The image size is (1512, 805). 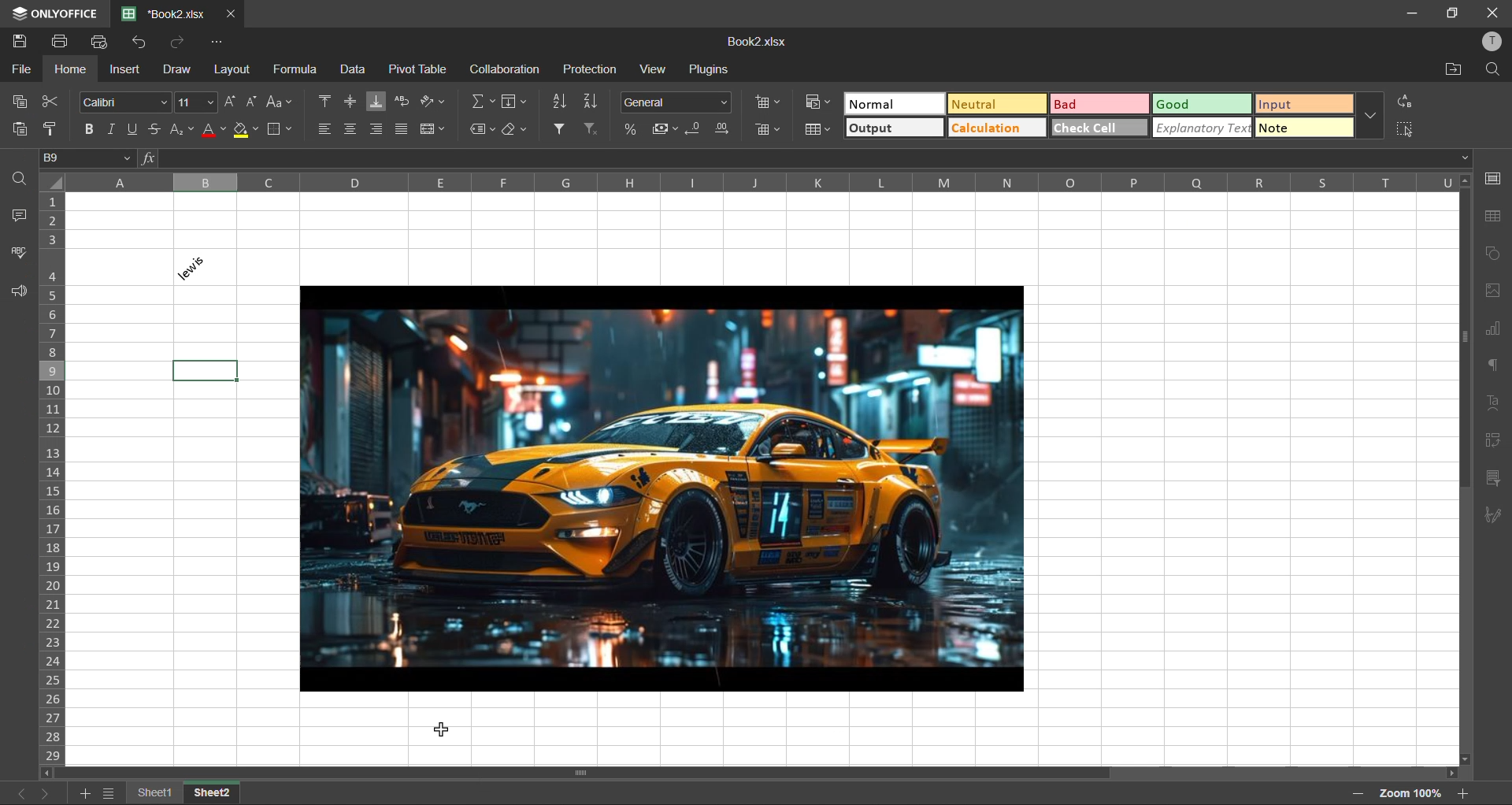 I want to click on comments, so click(x=18, y=217).